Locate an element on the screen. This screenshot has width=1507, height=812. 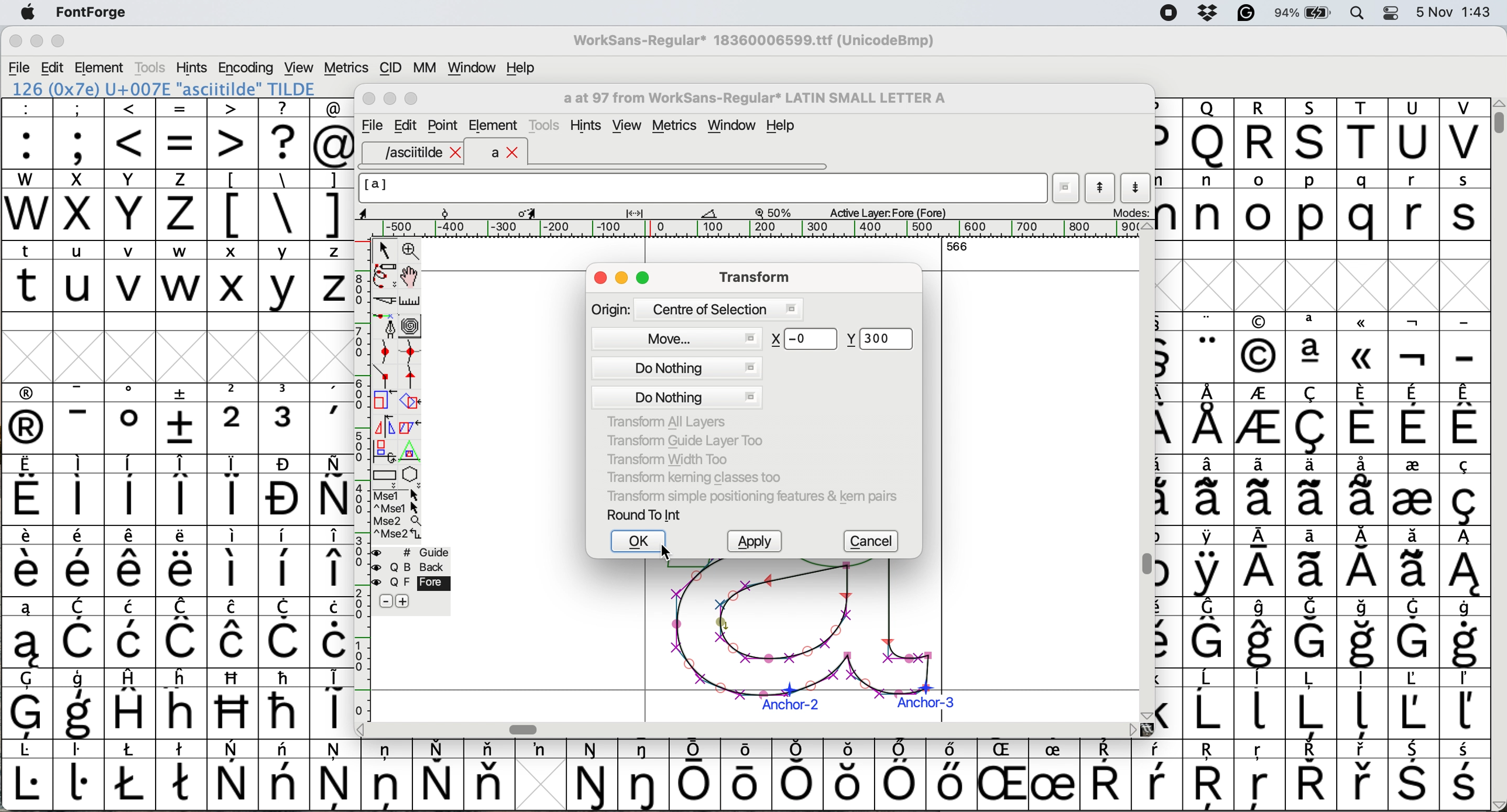
remove is located at coordinates (386, 602).